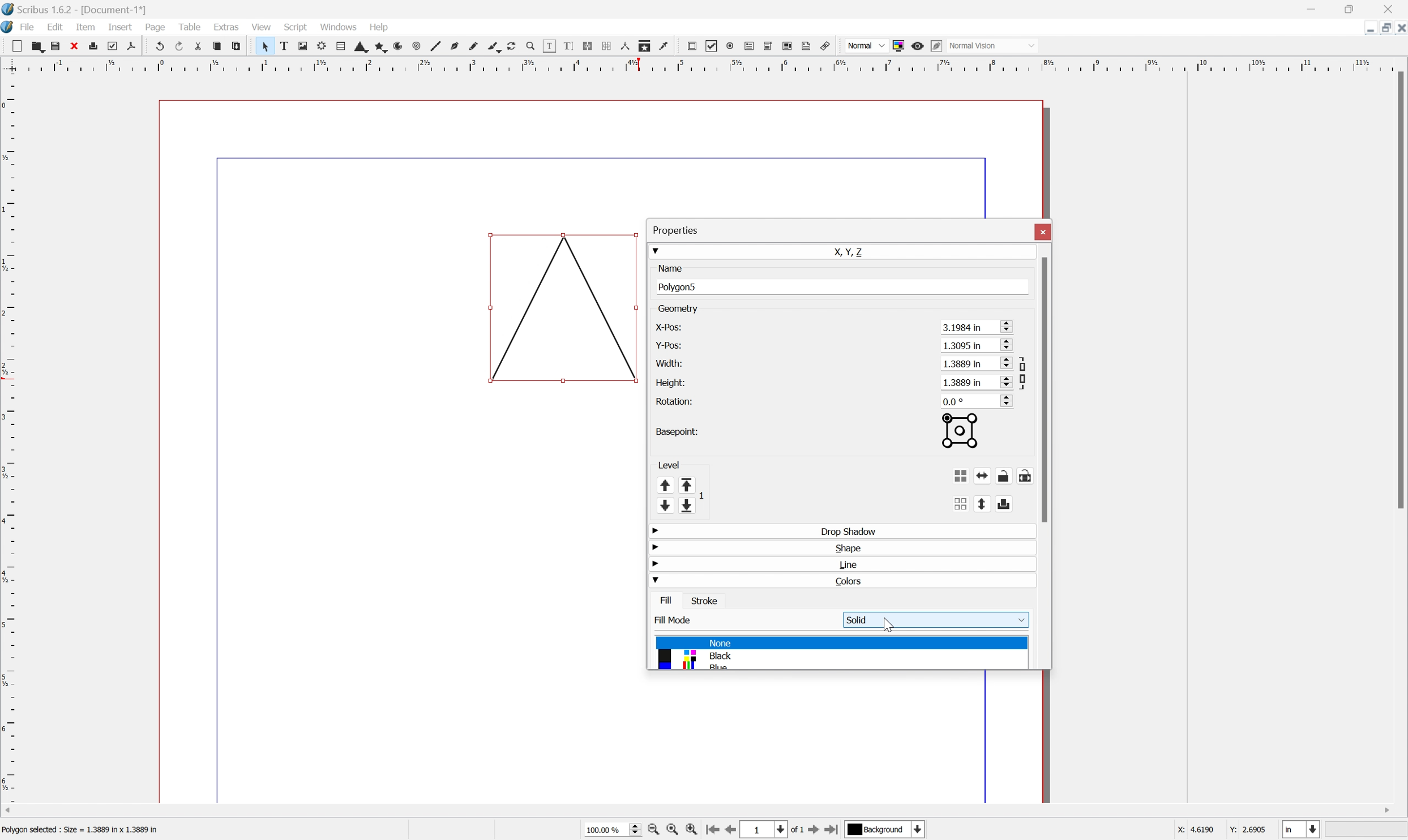 The height and width of the screenshot is (840, 1408). I want to click on Background, so click(878, 829).